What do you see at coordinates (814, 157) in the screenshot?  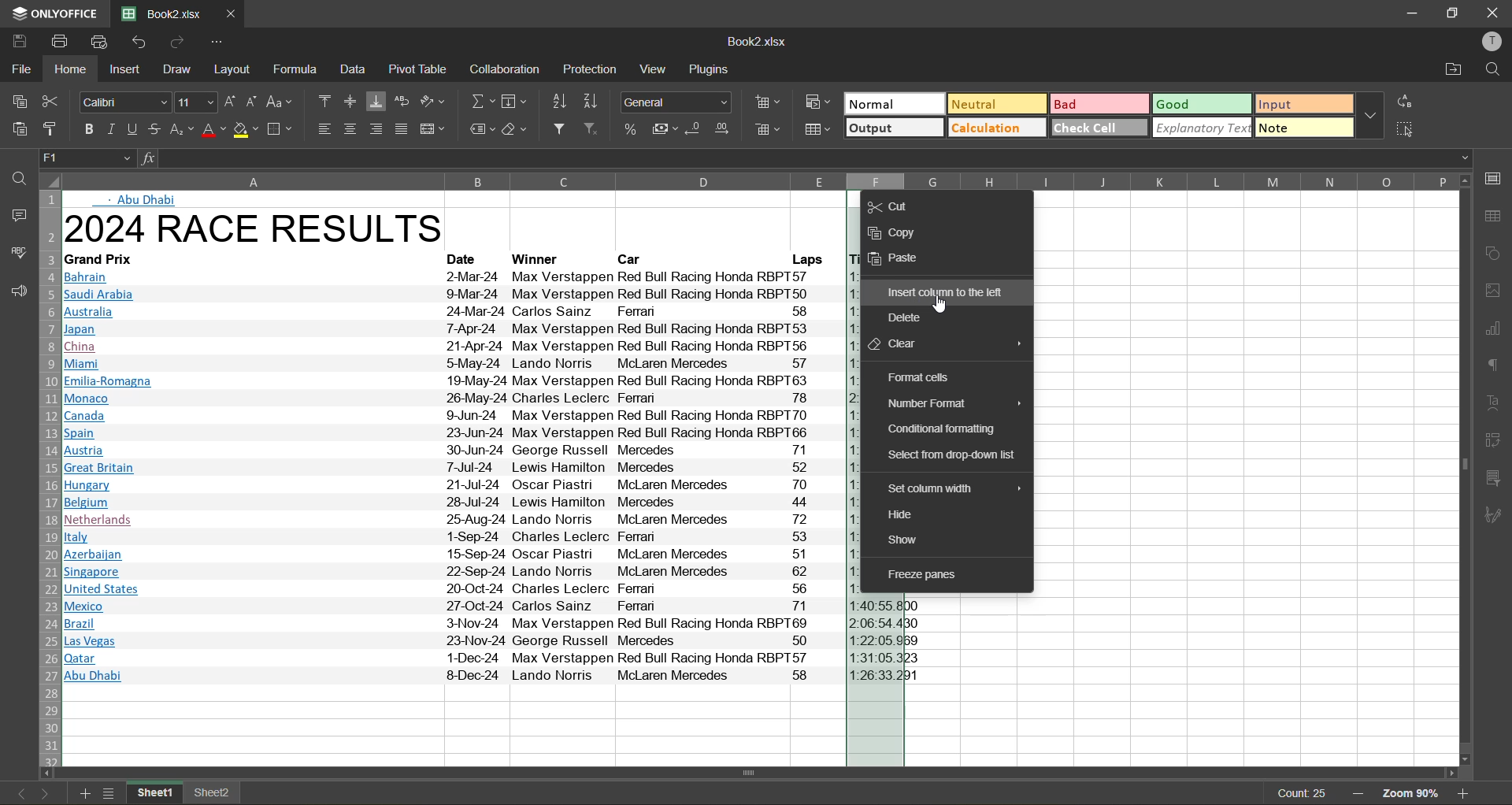 I see `formula bar` at bounding box center [814, 157].